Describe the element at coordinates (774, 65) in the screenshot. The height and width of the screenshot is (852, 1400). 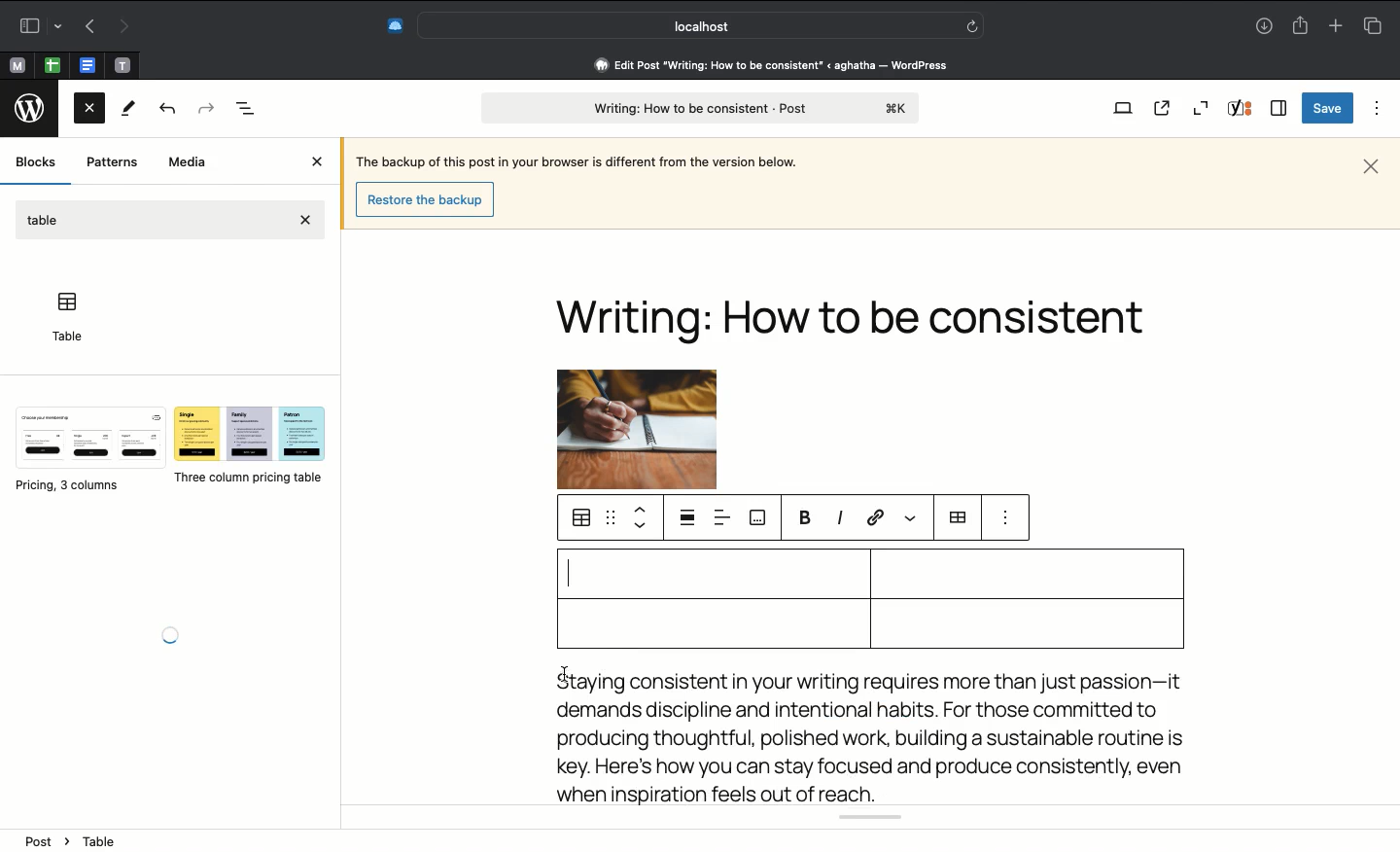
I see `edit post` at that location.